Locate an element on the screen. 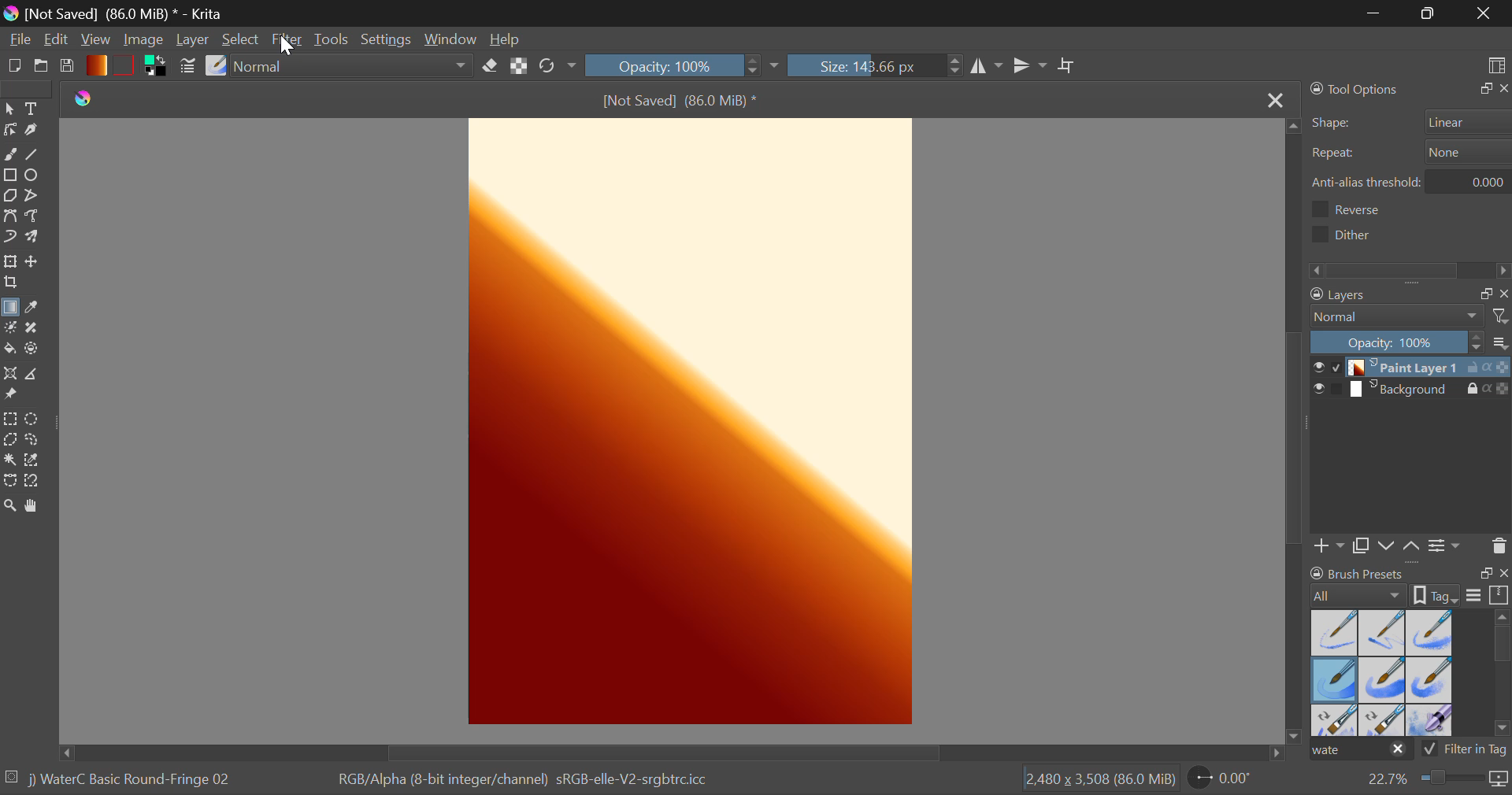 This screenshot has height=795, width=1512. preview is located at coordinates (1317, 390).